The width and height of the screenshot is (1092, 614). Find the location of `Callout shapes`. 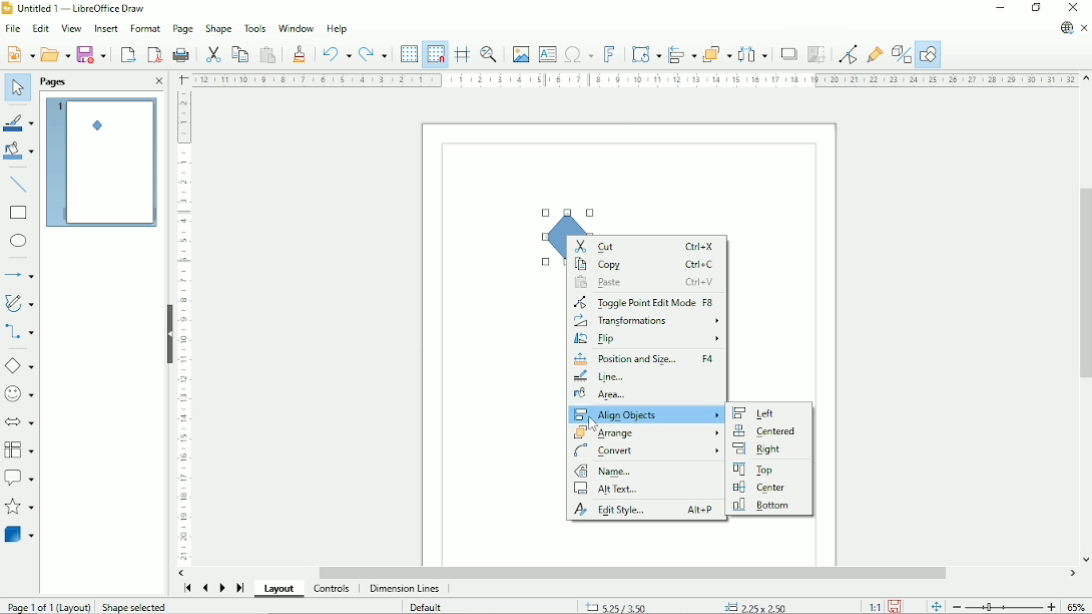

Callout shapes is located at coordinates (20, 478).